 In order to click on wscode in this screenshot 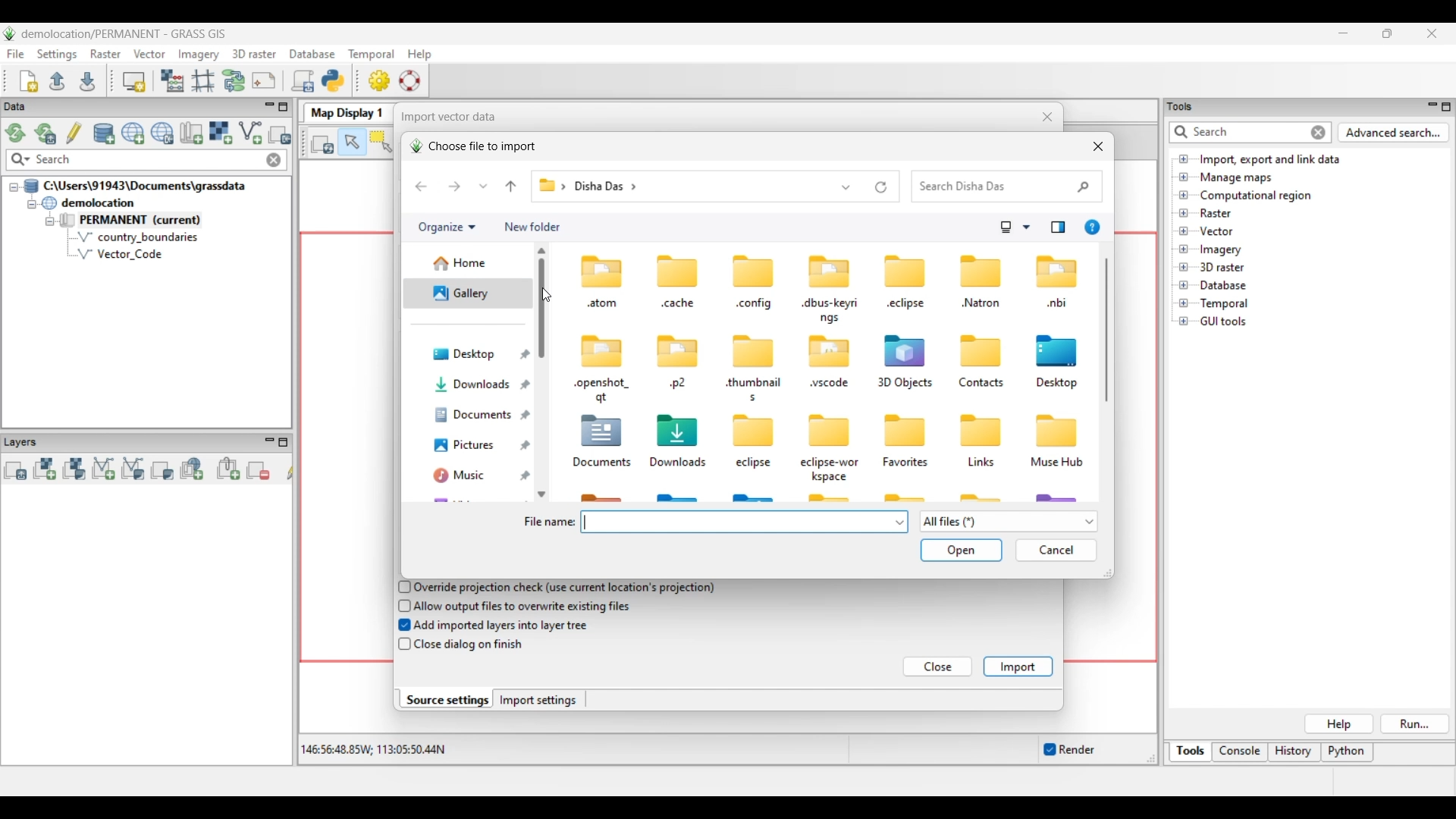, I will do `click(830, 384)`.